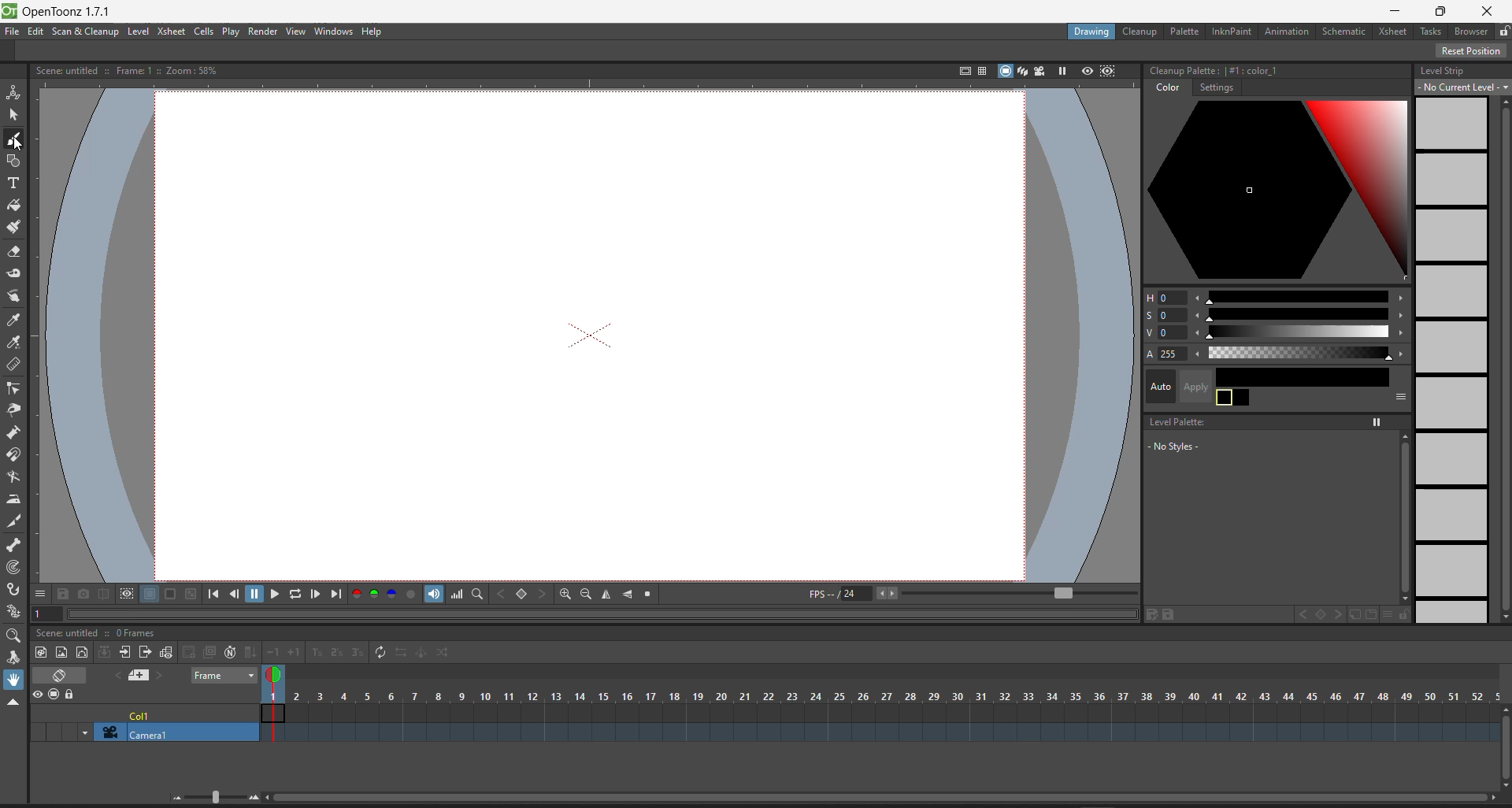 This screenshot has width=1512, height=808. Describe the element at coordinates (126, 593) in the screenshot. I see `define sub camera` at that location.